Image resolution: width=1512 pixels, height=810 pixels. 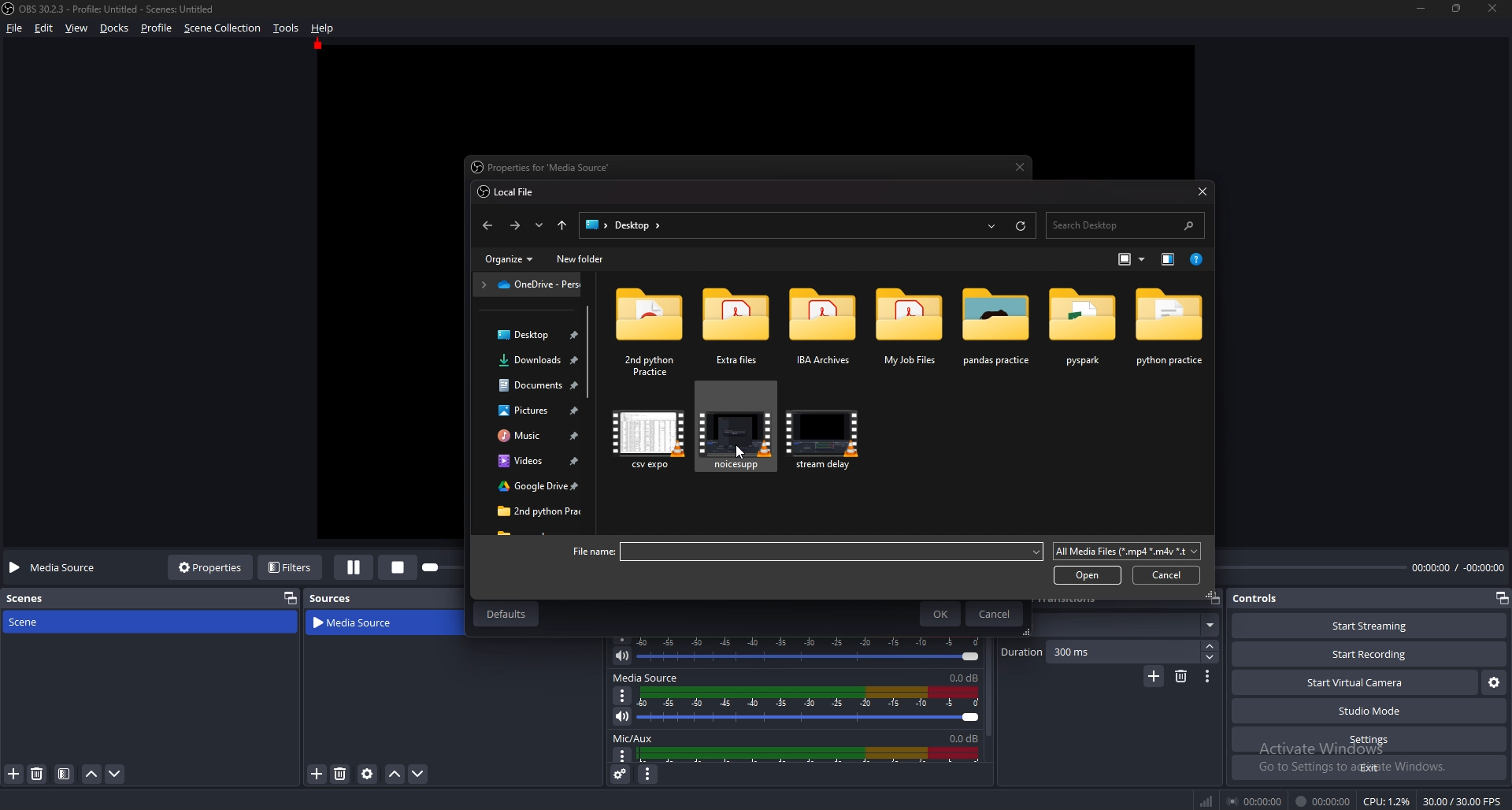 I want to click on upto desktop, so click(x=563, y=226).